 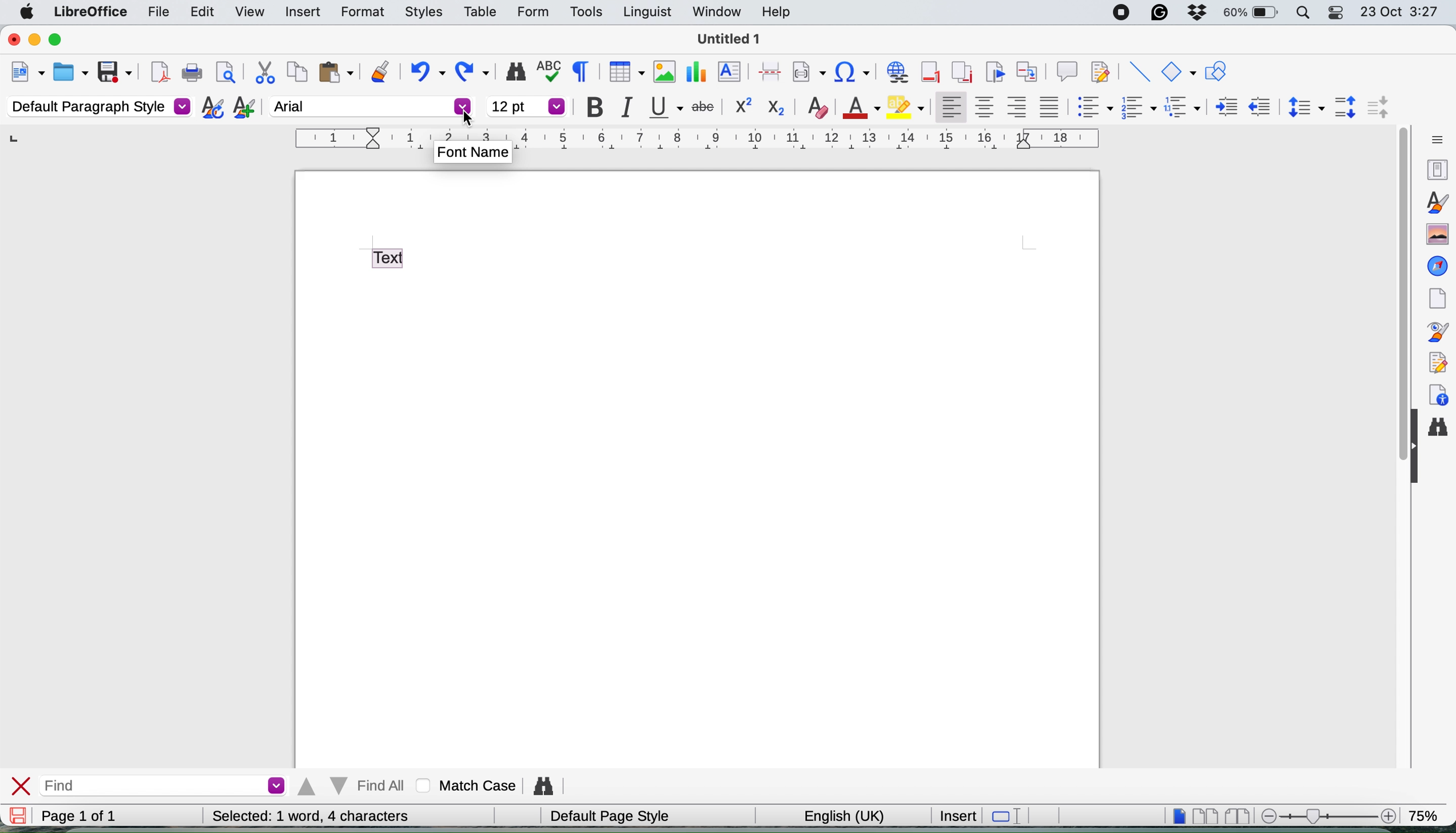 What do you see at coordinates (1436, 201) in the screenshot?
I see `styles` at bounding box center [1436, 201].